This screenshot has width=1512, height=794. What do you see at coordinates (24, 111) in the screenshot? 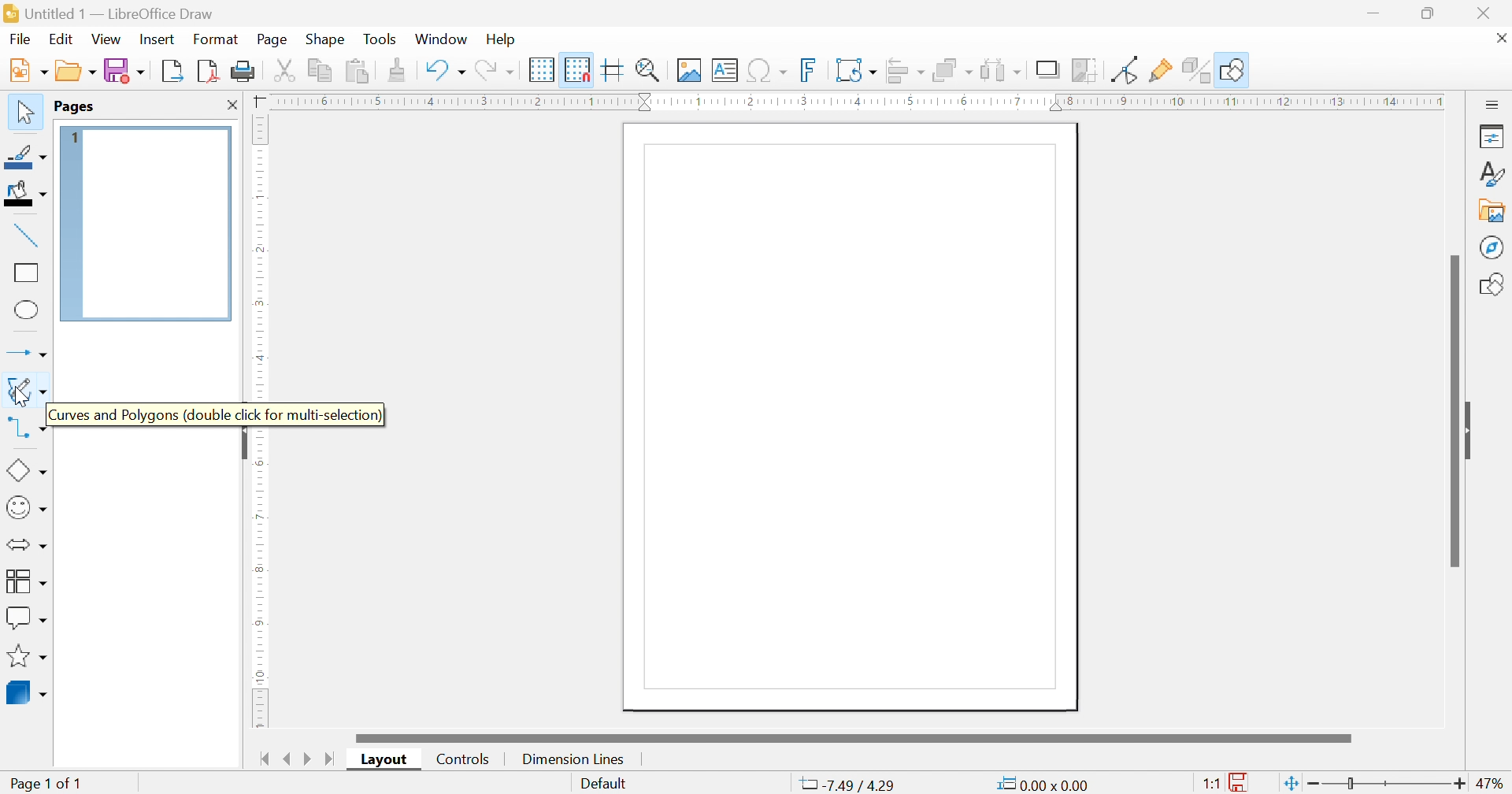
I see `selection tool` at bounding box center [24, 111].